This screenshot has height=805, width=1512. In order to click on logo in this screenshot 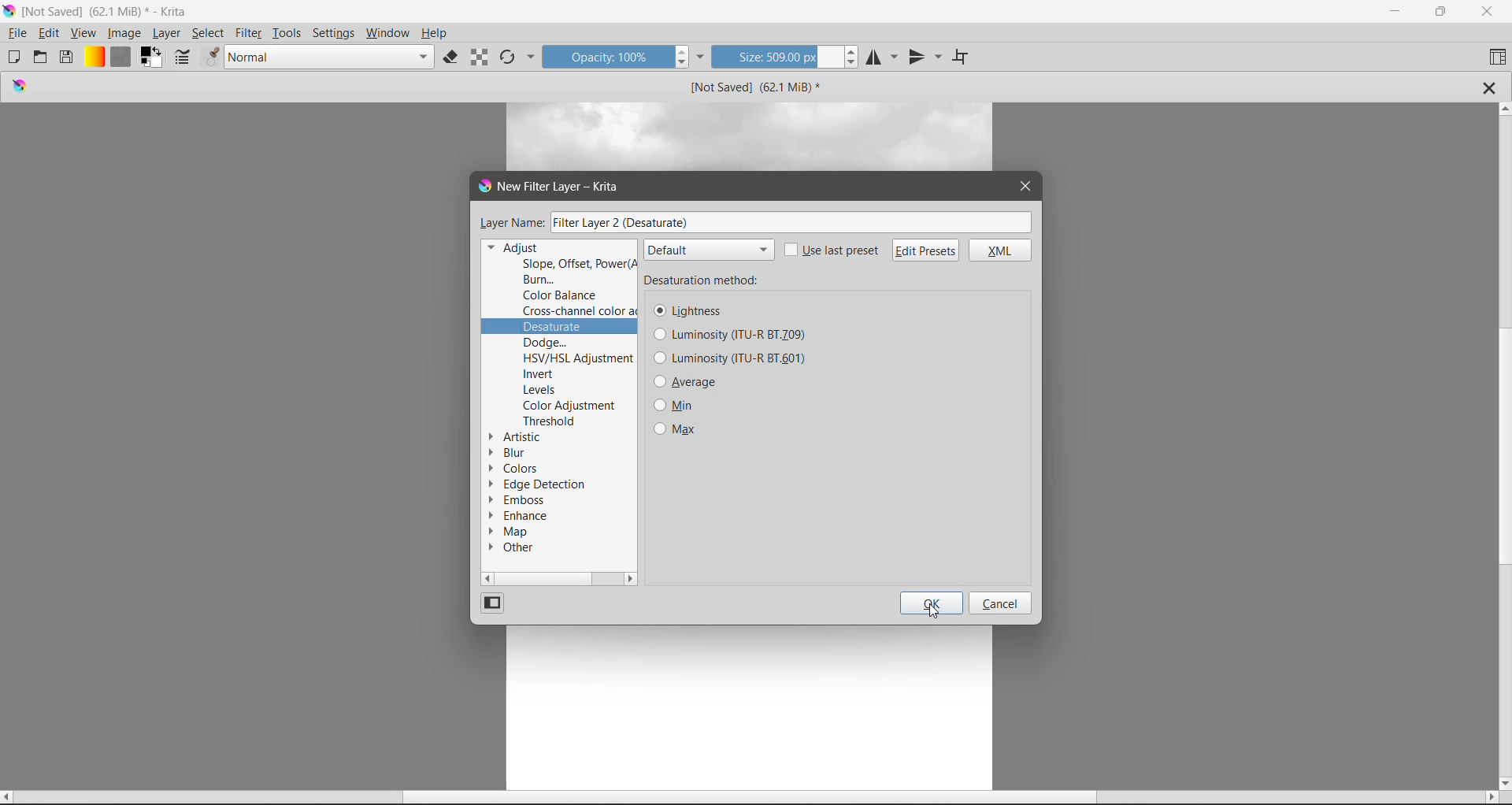, I will do `click(20, 88)`.